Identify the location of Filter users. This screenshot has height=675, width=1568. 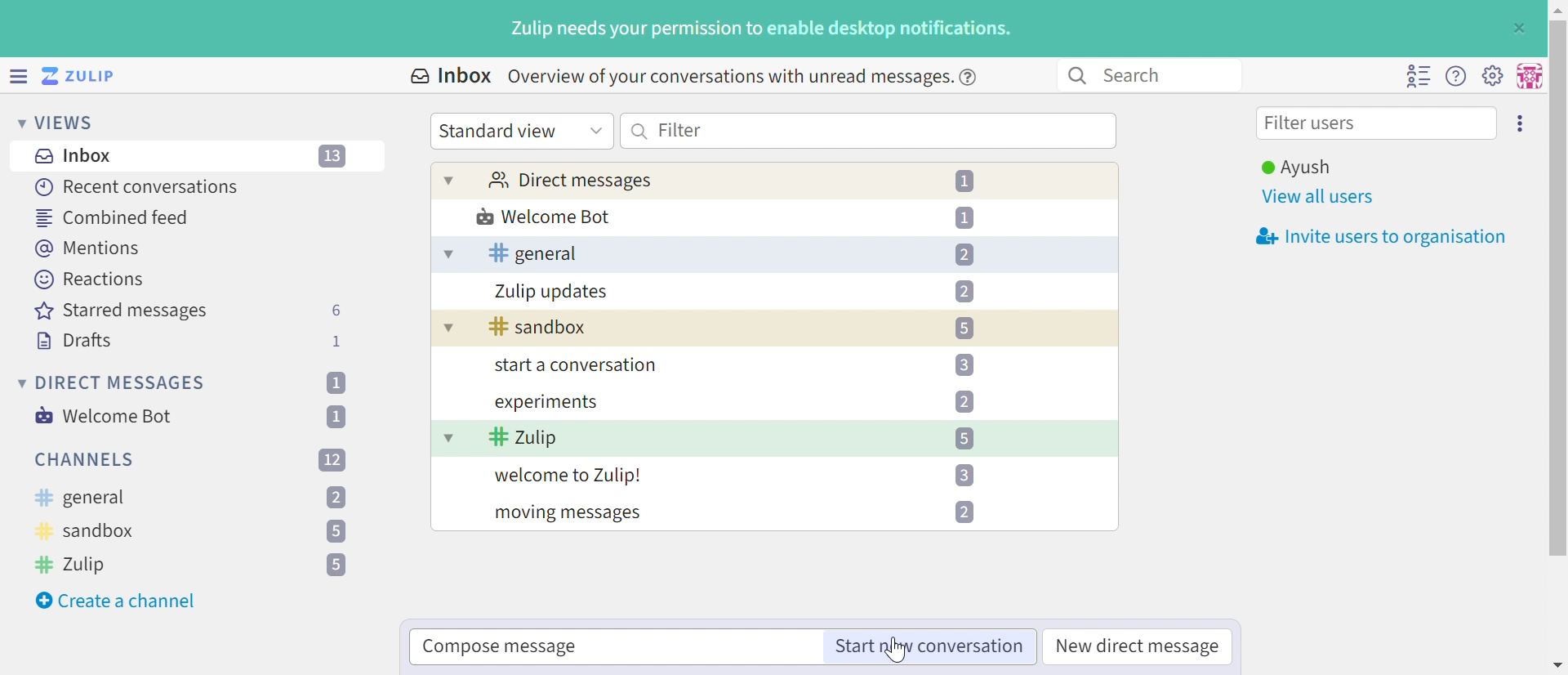
(1314, 125).